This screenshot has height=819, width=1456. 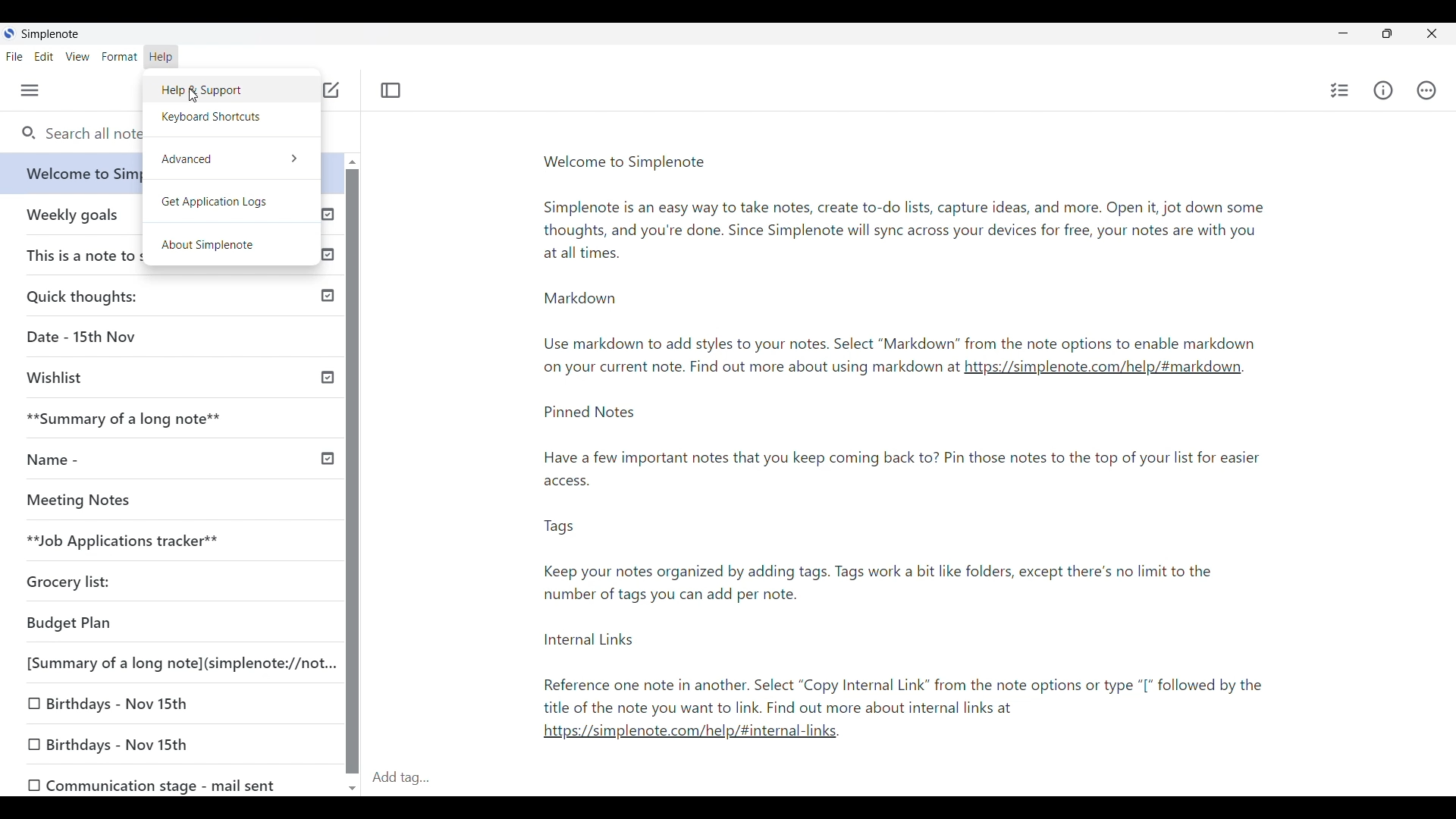 What do you see at coordinates (325, 460) in the screenshot?
I see `` at bounding box center [325, 460].